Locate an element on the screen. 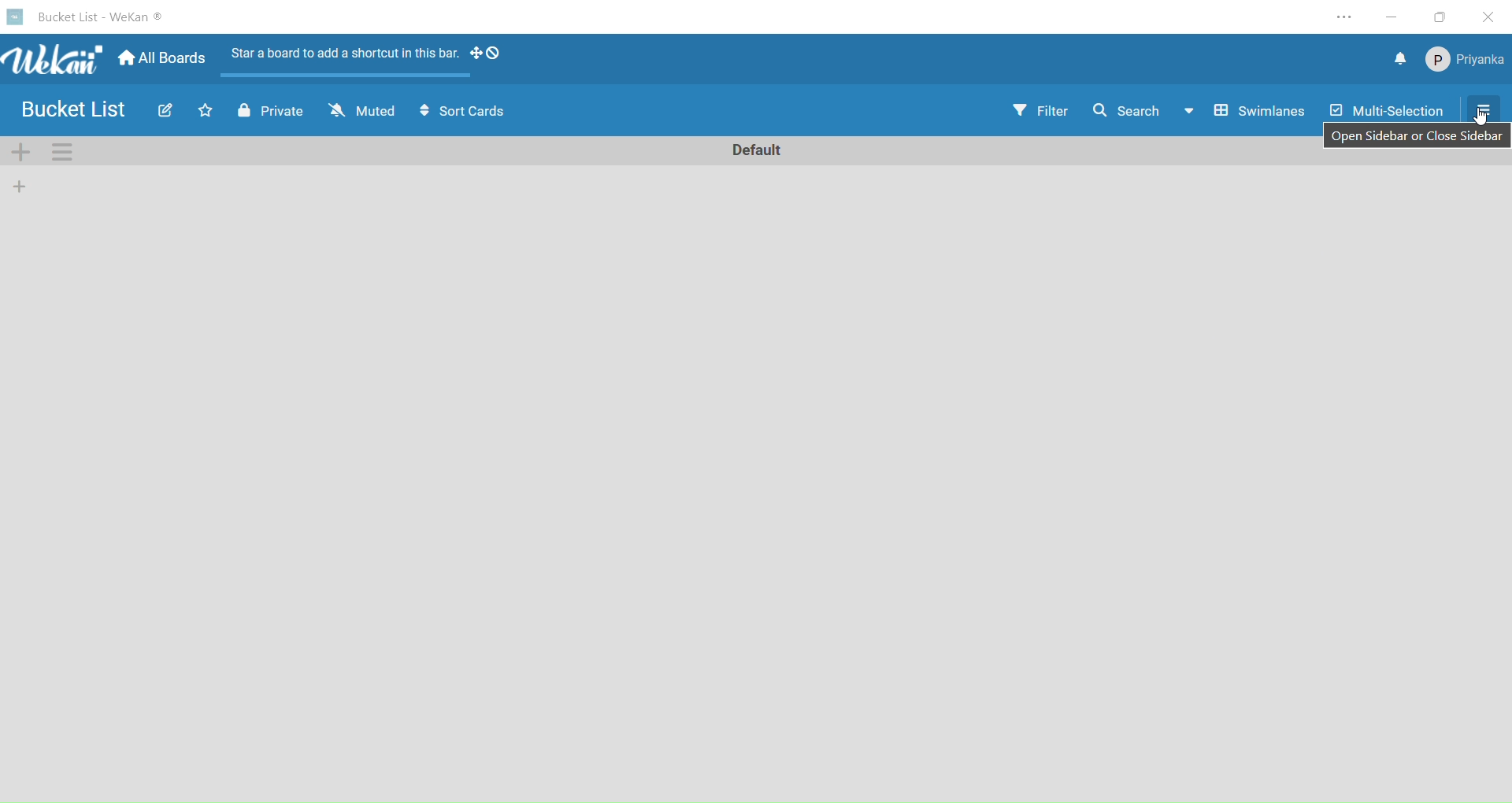  start a board to add a shortcut in this bar. is located at coordinates (343, 62).